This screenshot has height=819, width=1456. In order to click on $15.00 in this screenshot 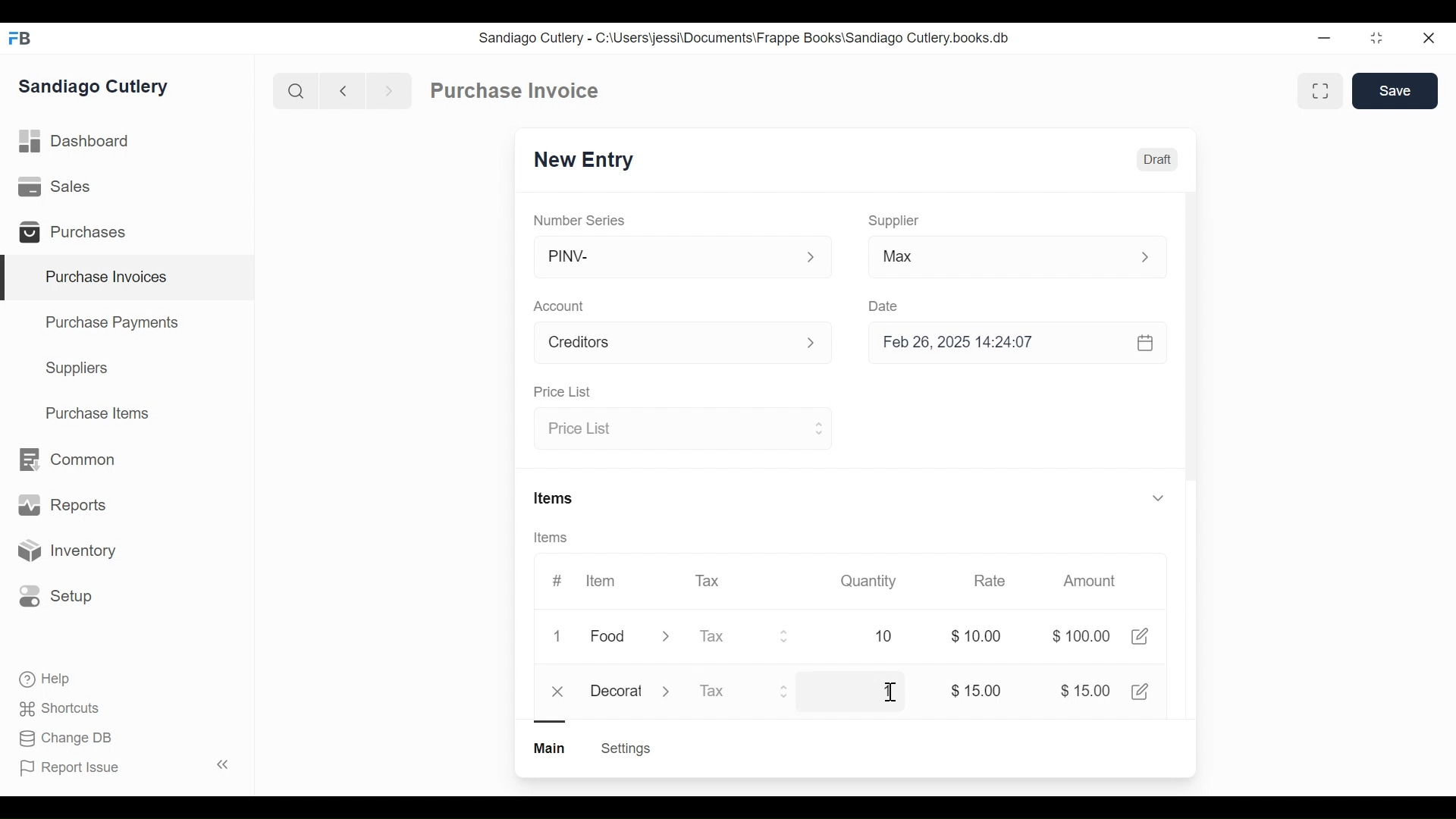, I will do `click(976, 691)`.